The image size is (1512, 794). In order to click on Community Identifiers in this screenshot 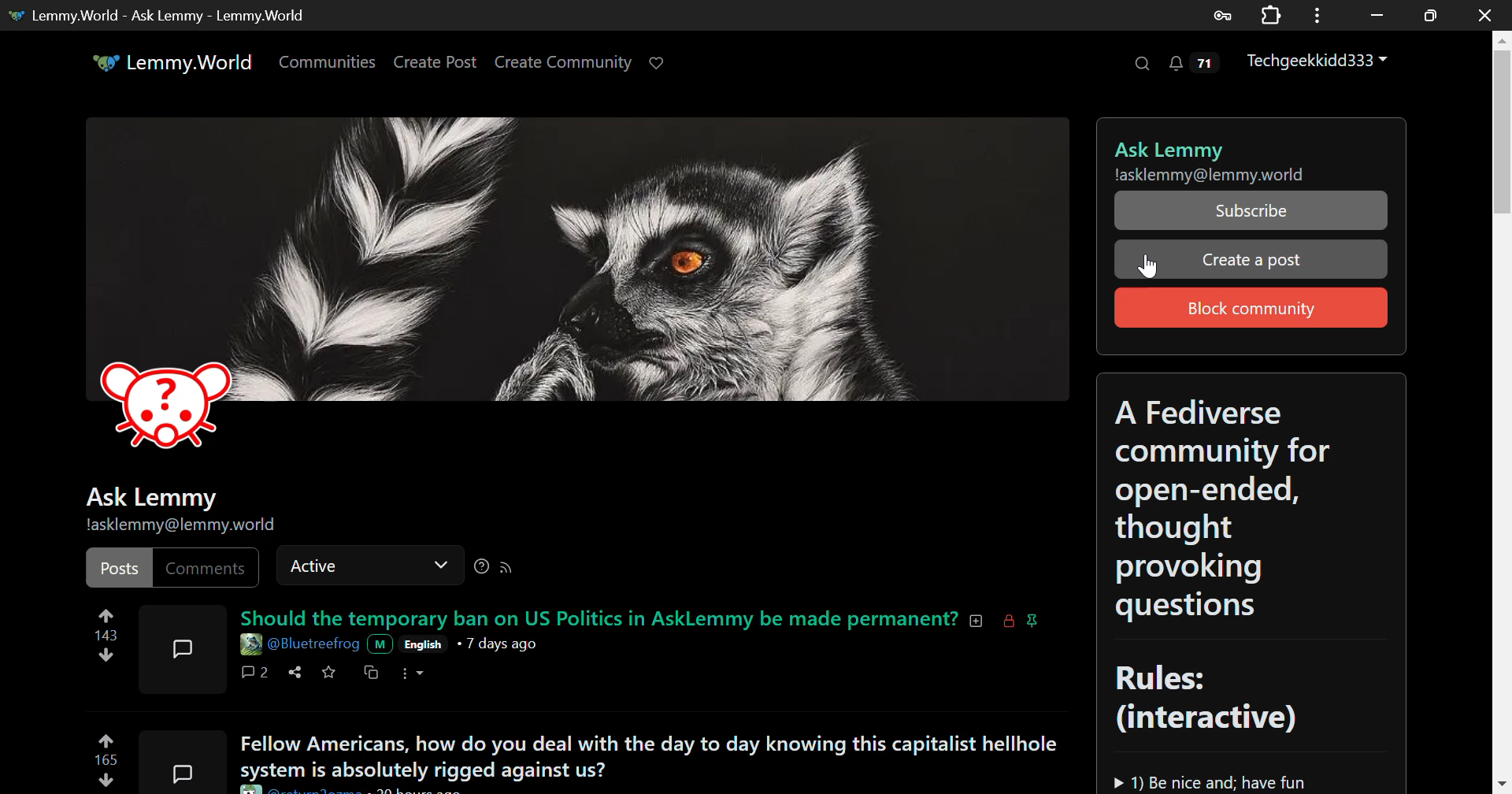, I will do `click(1253, 150)`.